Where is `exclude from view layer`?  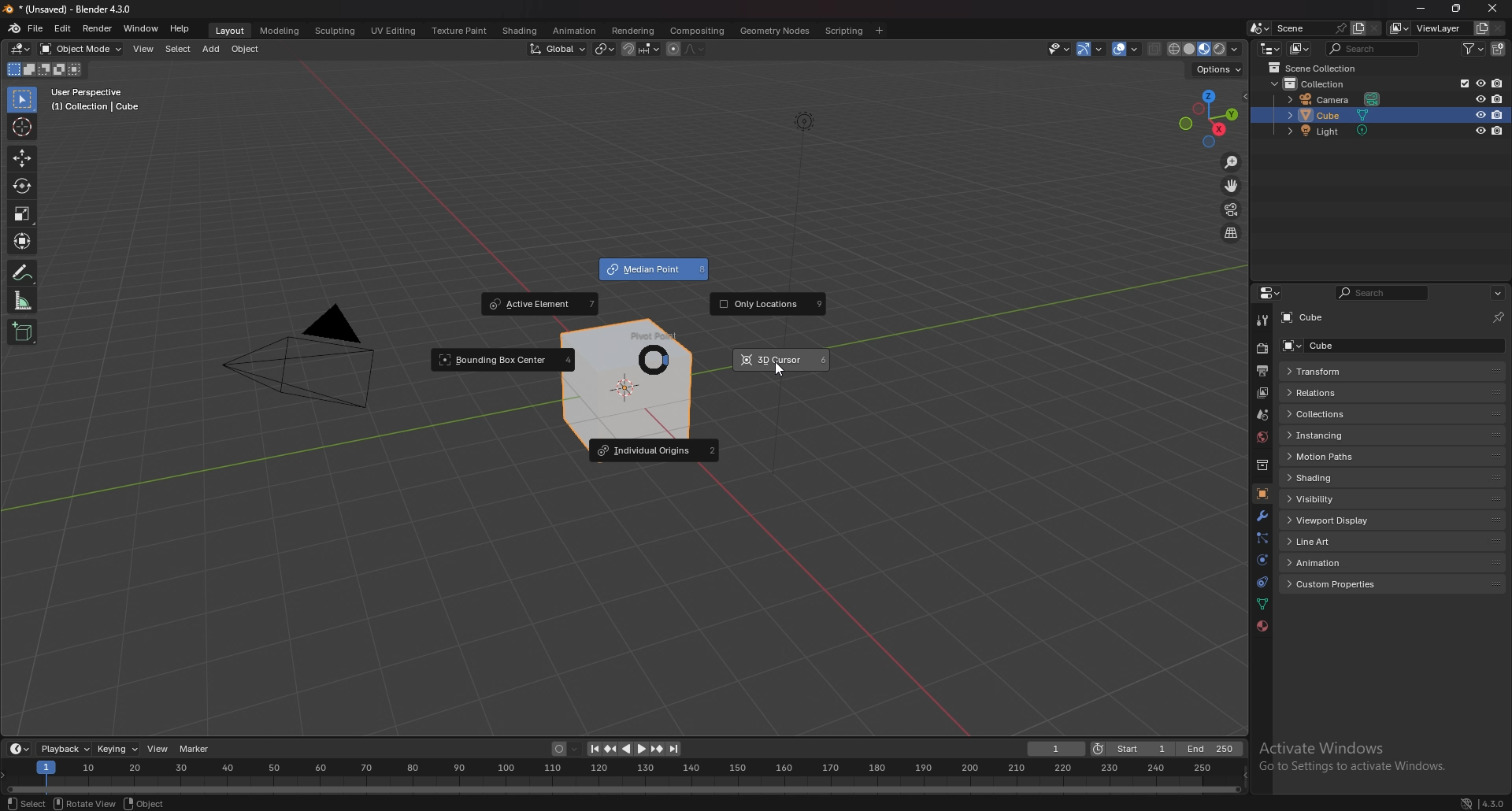 exclude from view layer is located at coordinates (1462, 83).